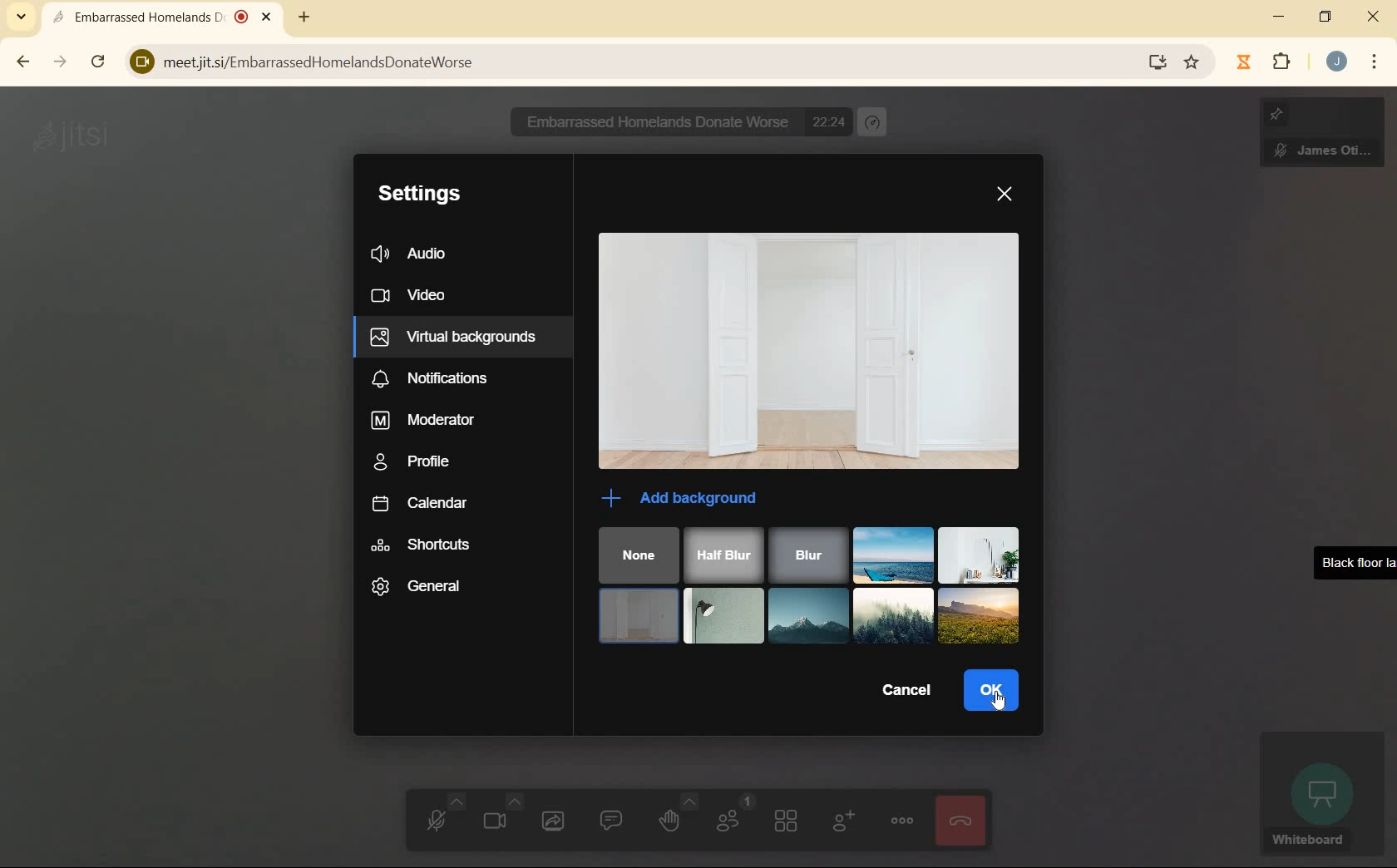 The height and width of the screenshot is (868, 1397). What do you see at coordinates (79, 137) in the screenshot?
I see `jitsi` at bounding box center [79, 137].